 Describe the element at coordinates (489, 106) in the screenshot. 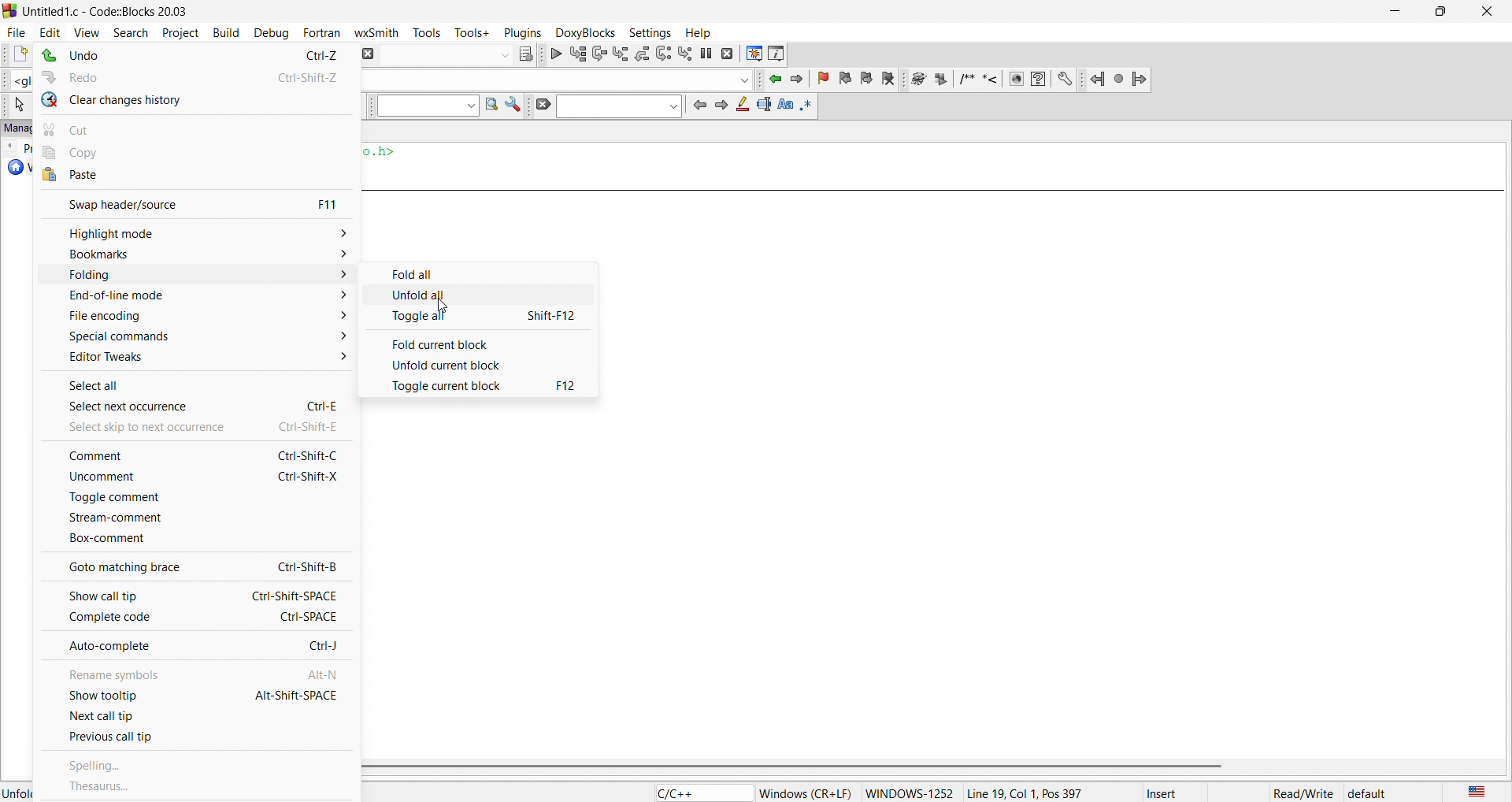

I see `find in page` at that location.